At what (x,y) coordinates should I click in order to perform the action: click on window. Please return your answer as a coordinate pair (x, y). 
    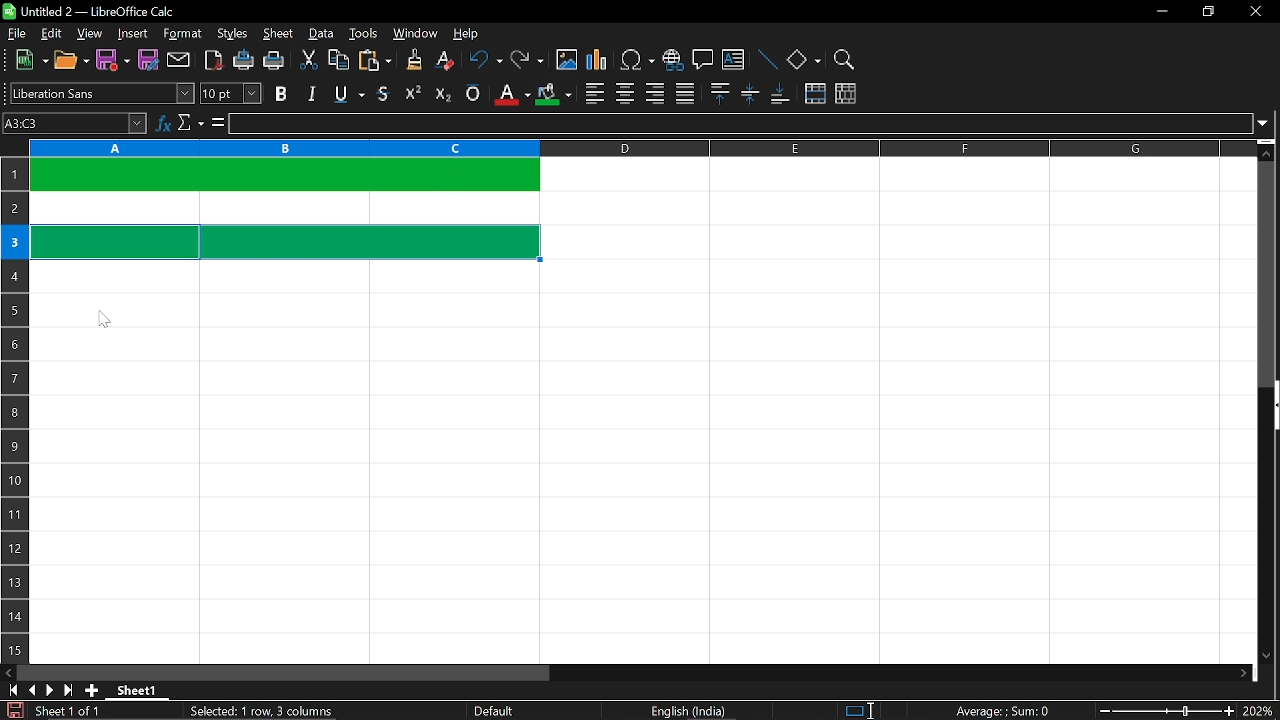
    Looking at the image, I should click on (415, 34).